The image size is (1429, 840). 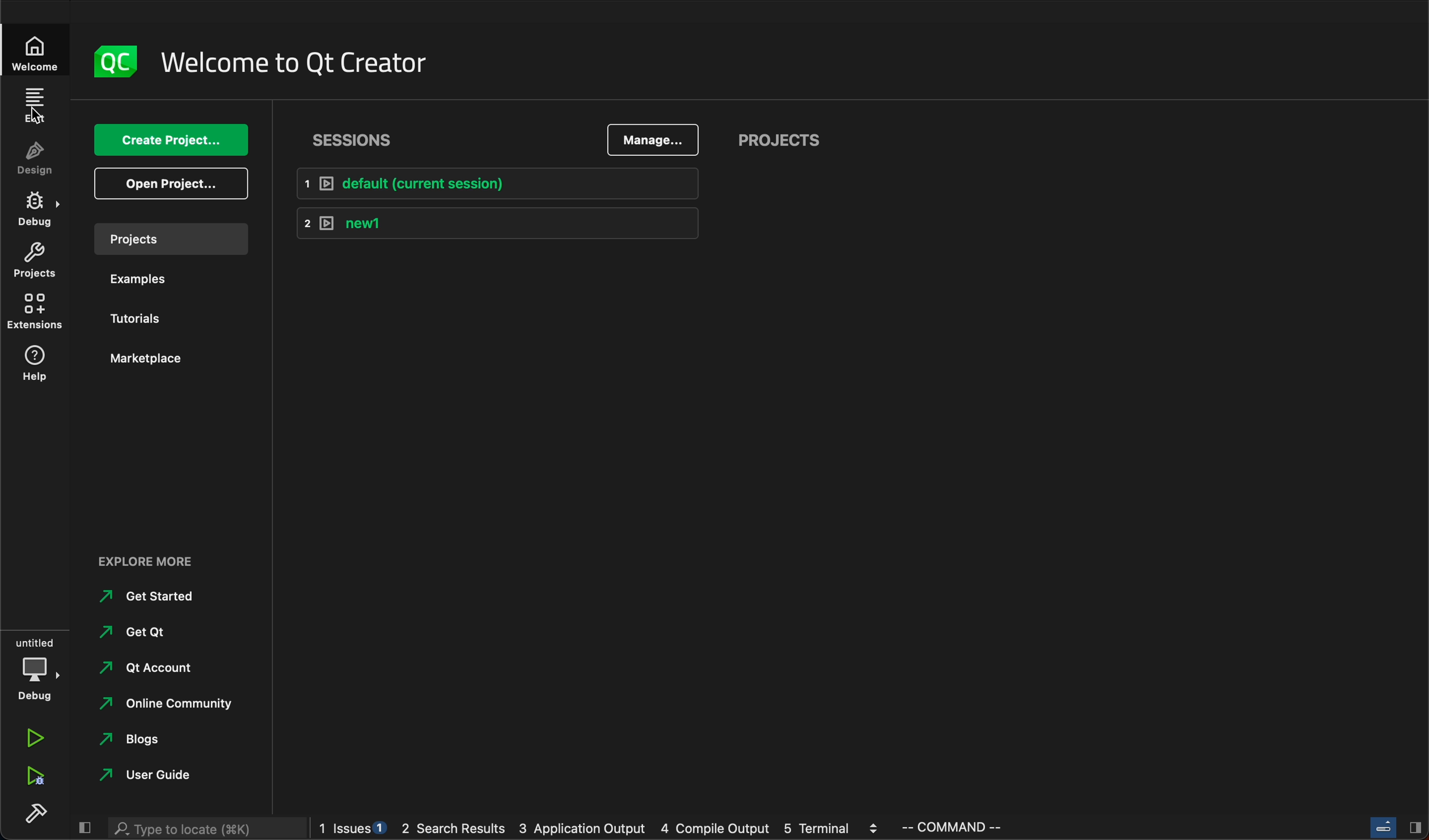 What do you see at coordinates (164, 237) in the screenshot?
I see `projects` at bounding box center [164, 237].